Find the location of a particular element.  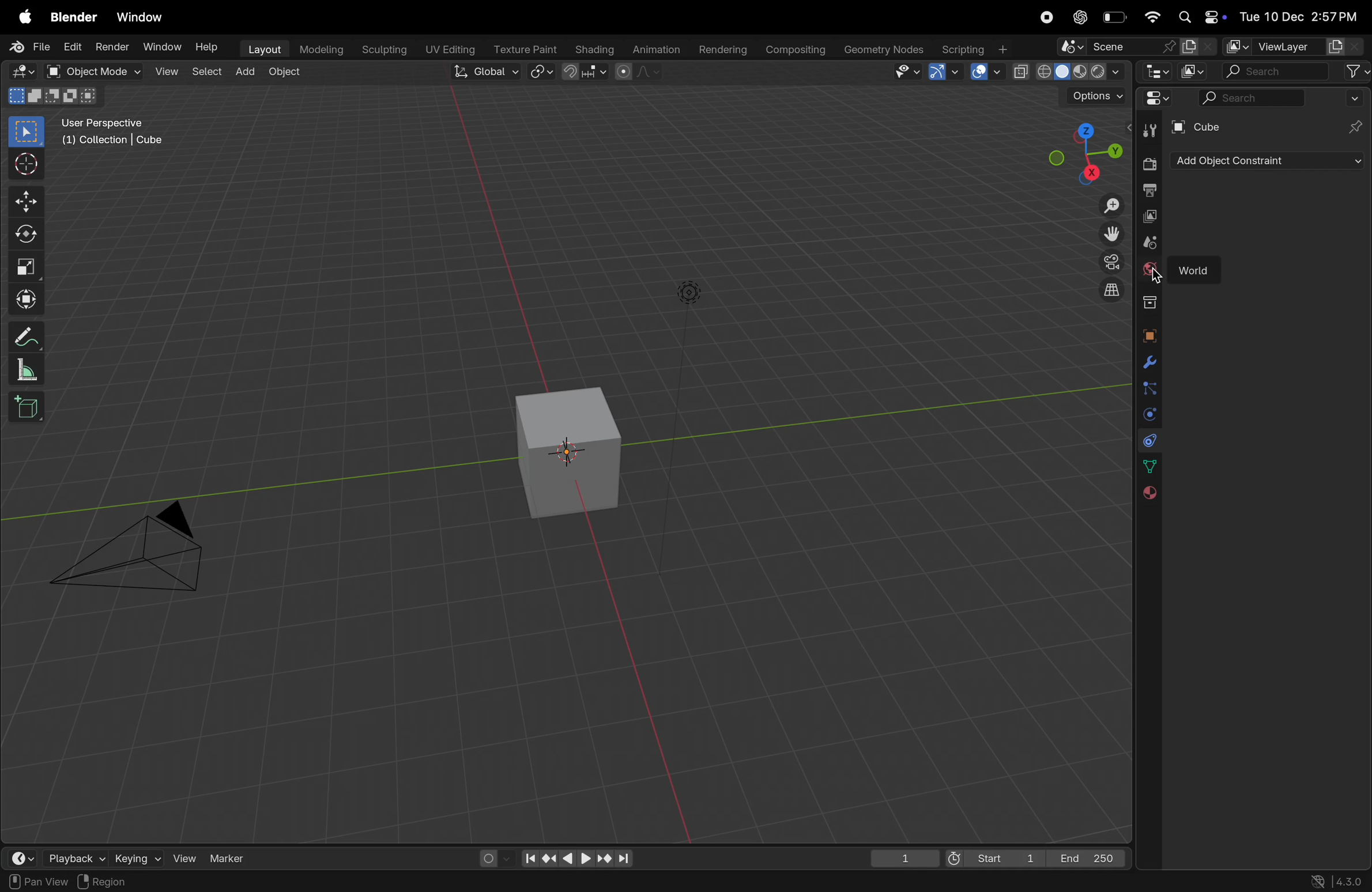

modifiers is located at coordinates (1148, 362).